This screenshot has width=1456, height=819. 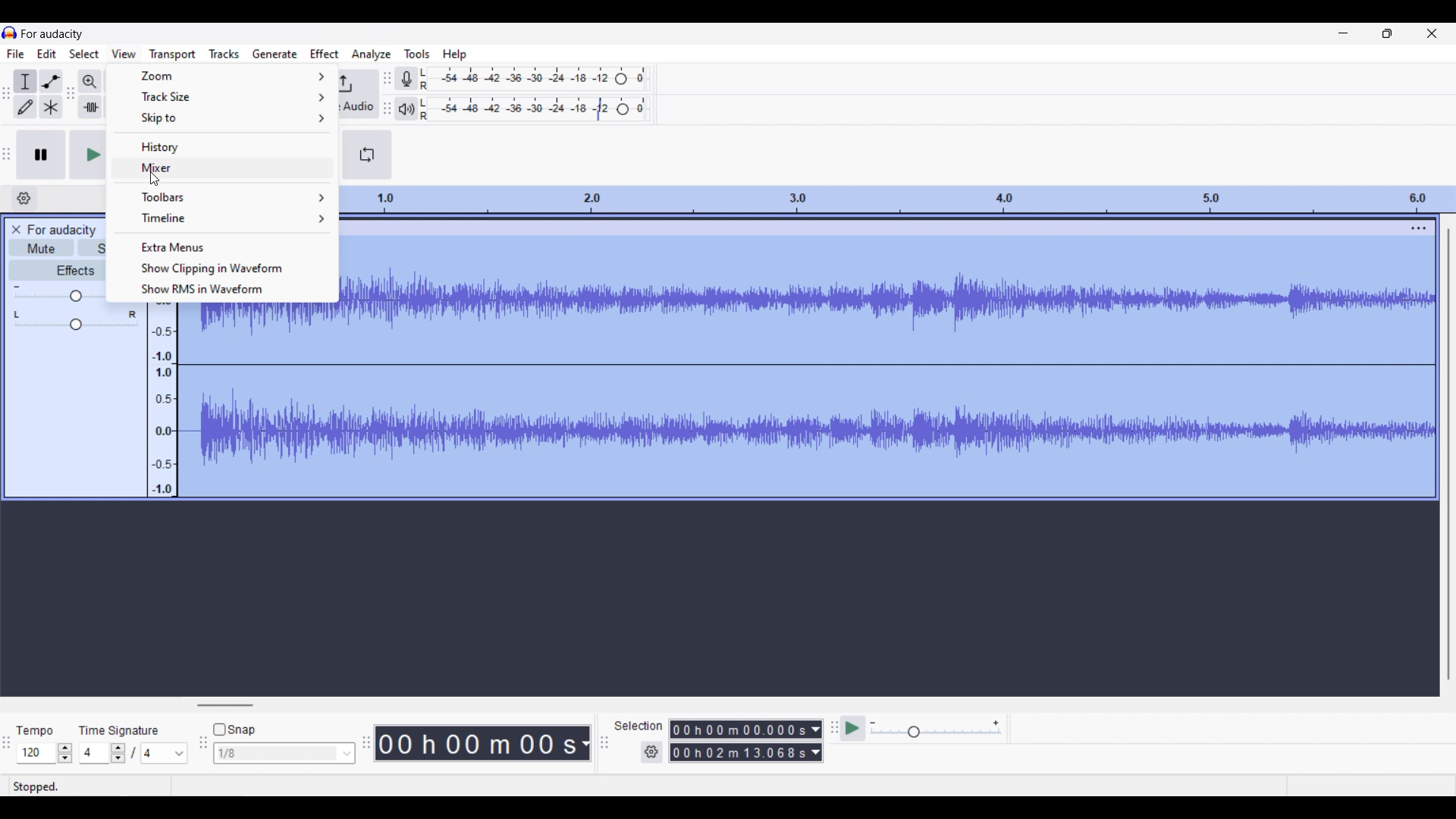 I want to click on Share audio, so click(x=359, y=95).